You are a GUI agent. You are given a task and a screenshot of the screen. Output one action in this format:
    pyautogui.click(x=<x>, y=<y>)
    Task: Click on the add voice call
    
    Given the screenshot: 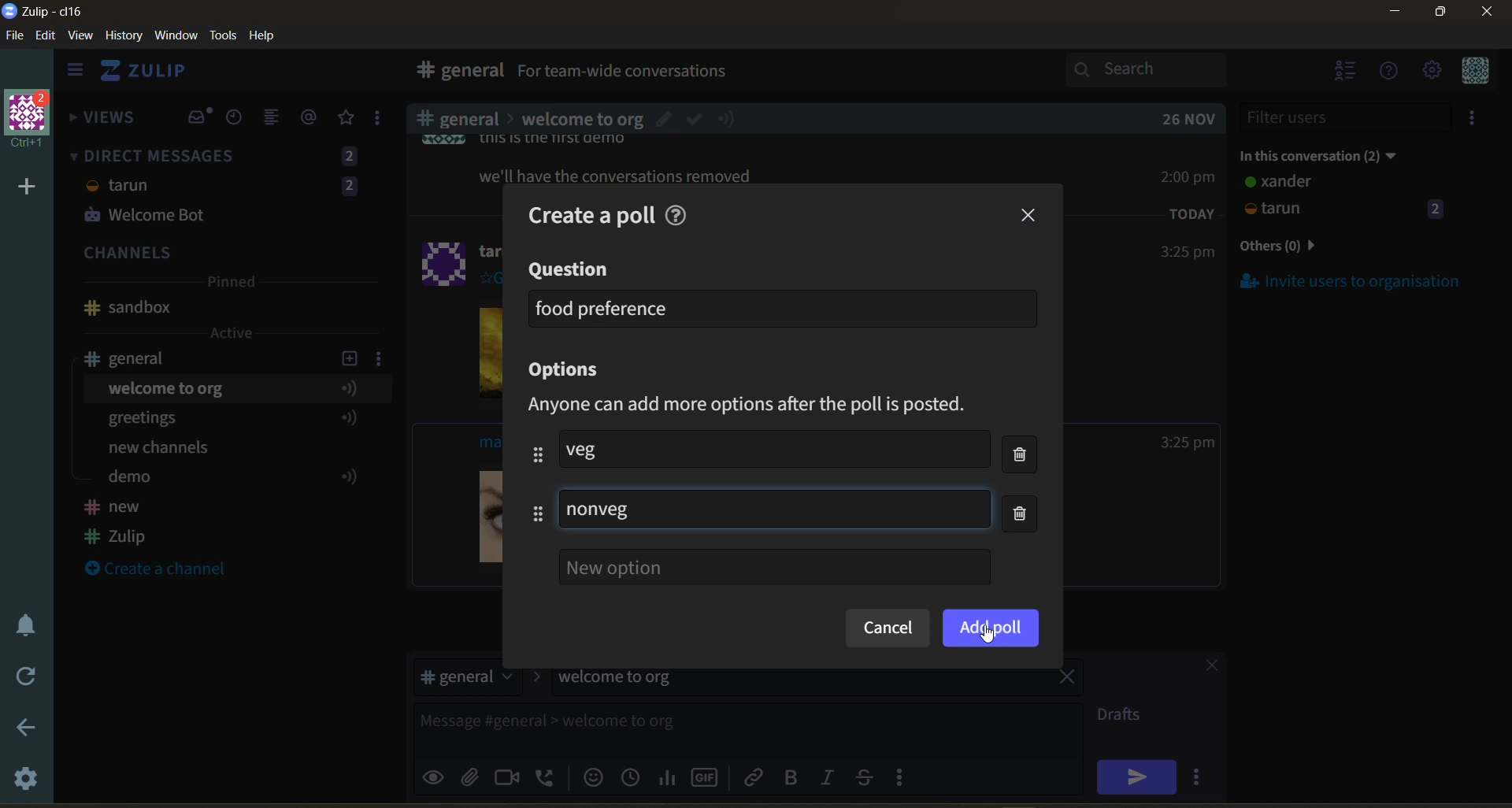 What is the action you would take?
    pyautogui.click(x=547, y=776)
    